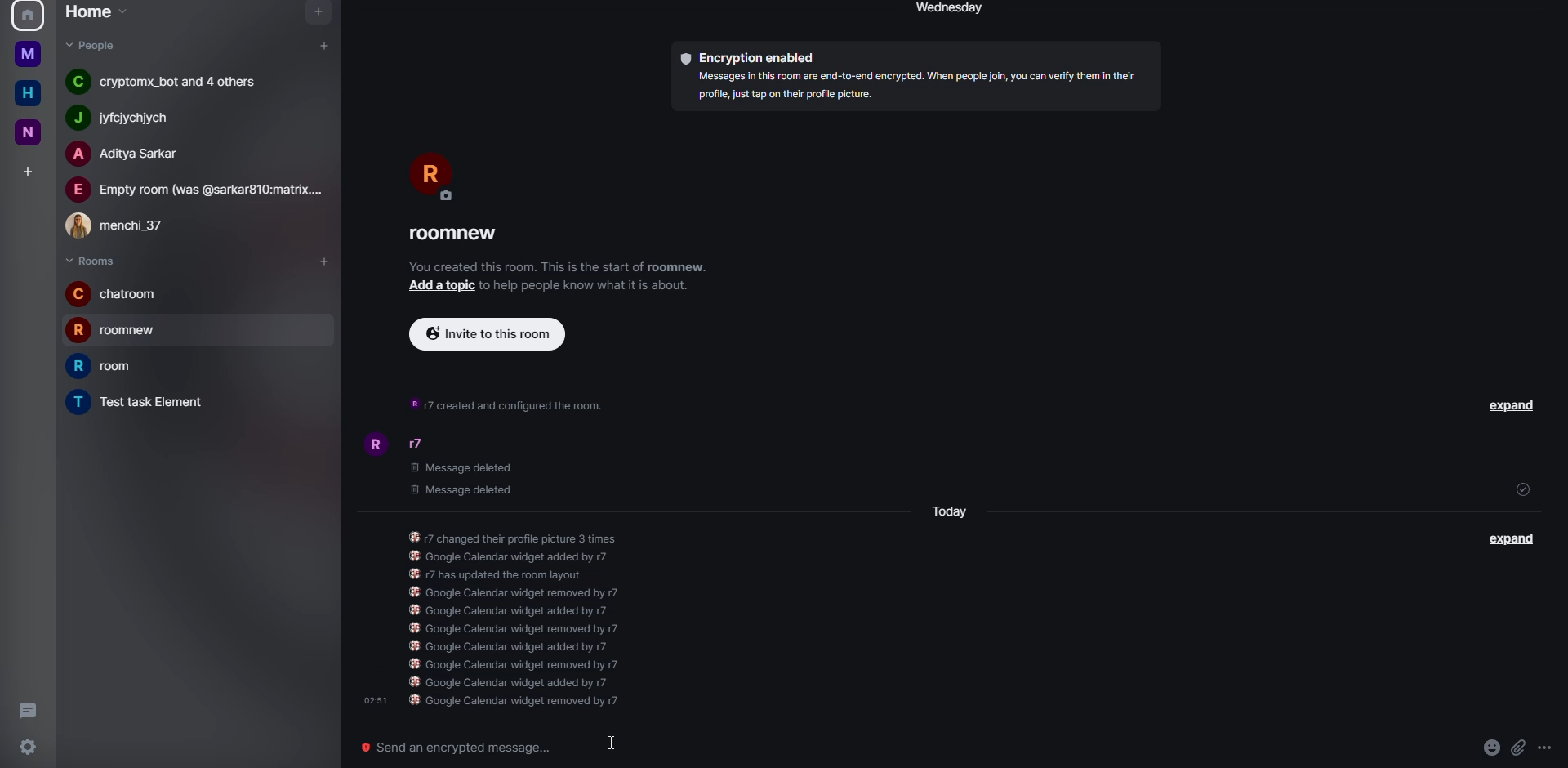 The width and height of the screenshot is (1568, 768). Describe the element at coordinates (425, 445) in the screenshot. I see `people` at that location.